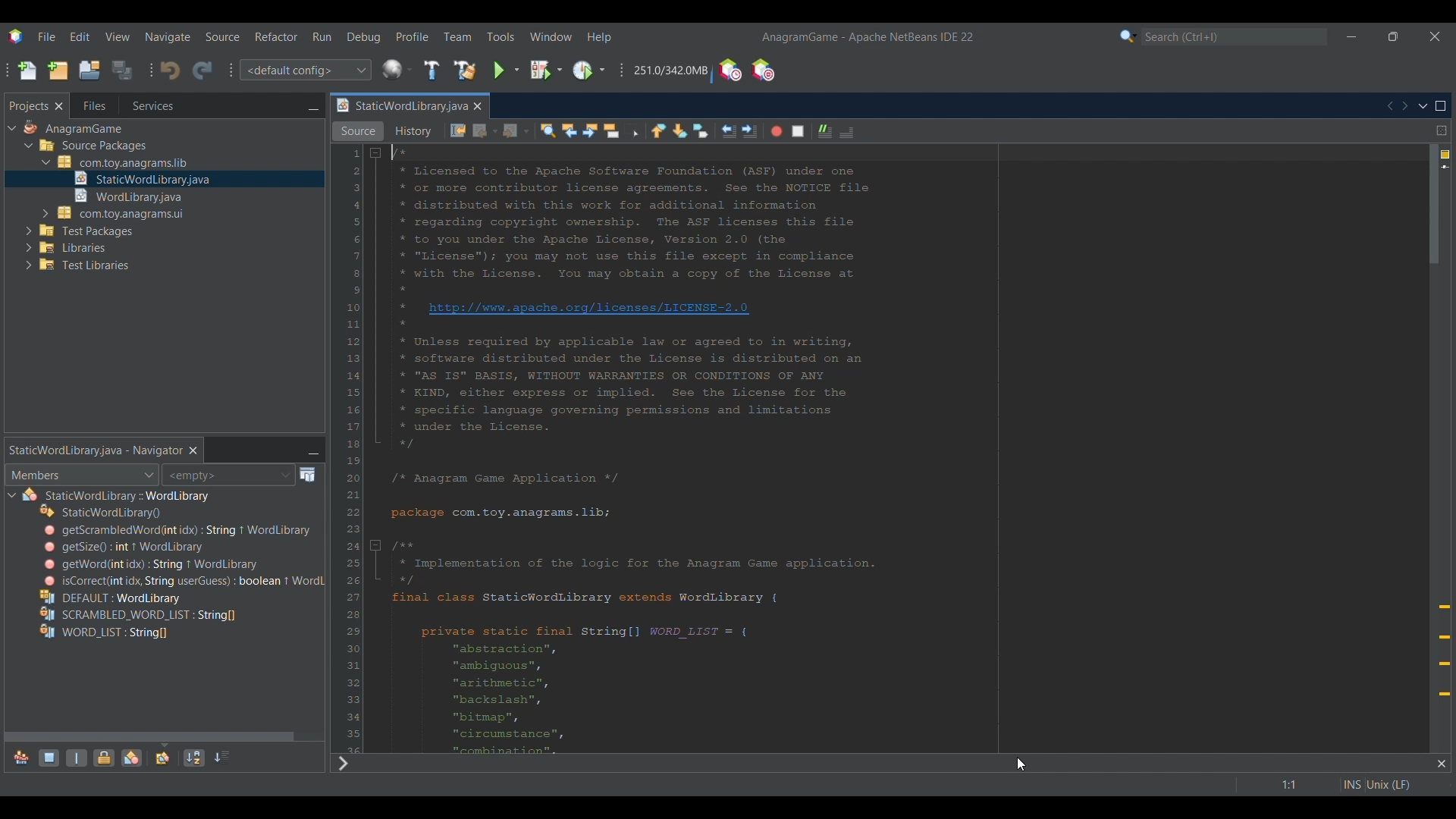 The width and height of the screenshot is (1456, 819). Describe the element at coordinates (73, 130) in the screenshot. I see `` at that location.